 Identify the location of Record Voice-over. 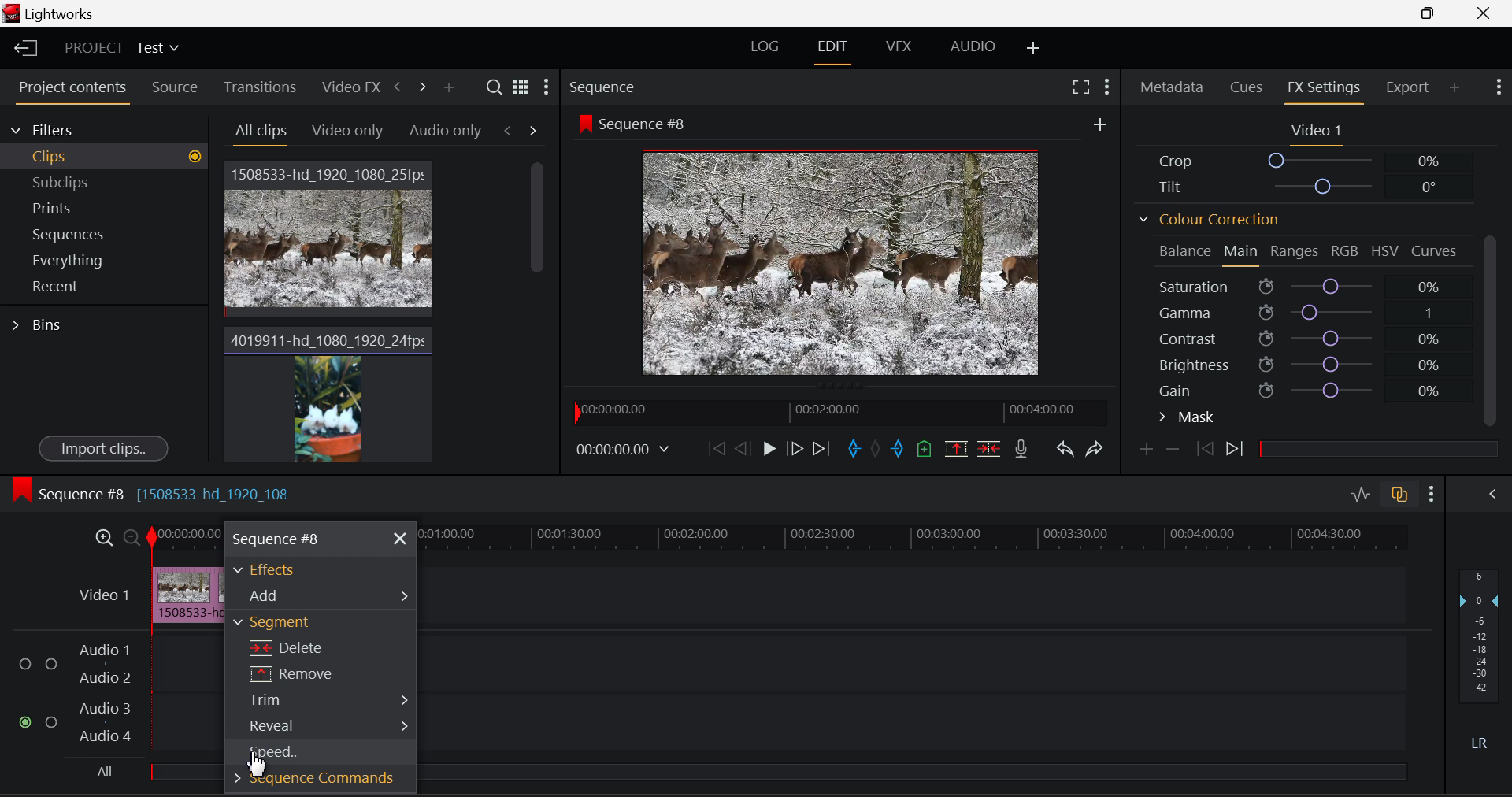
(1021, 449).